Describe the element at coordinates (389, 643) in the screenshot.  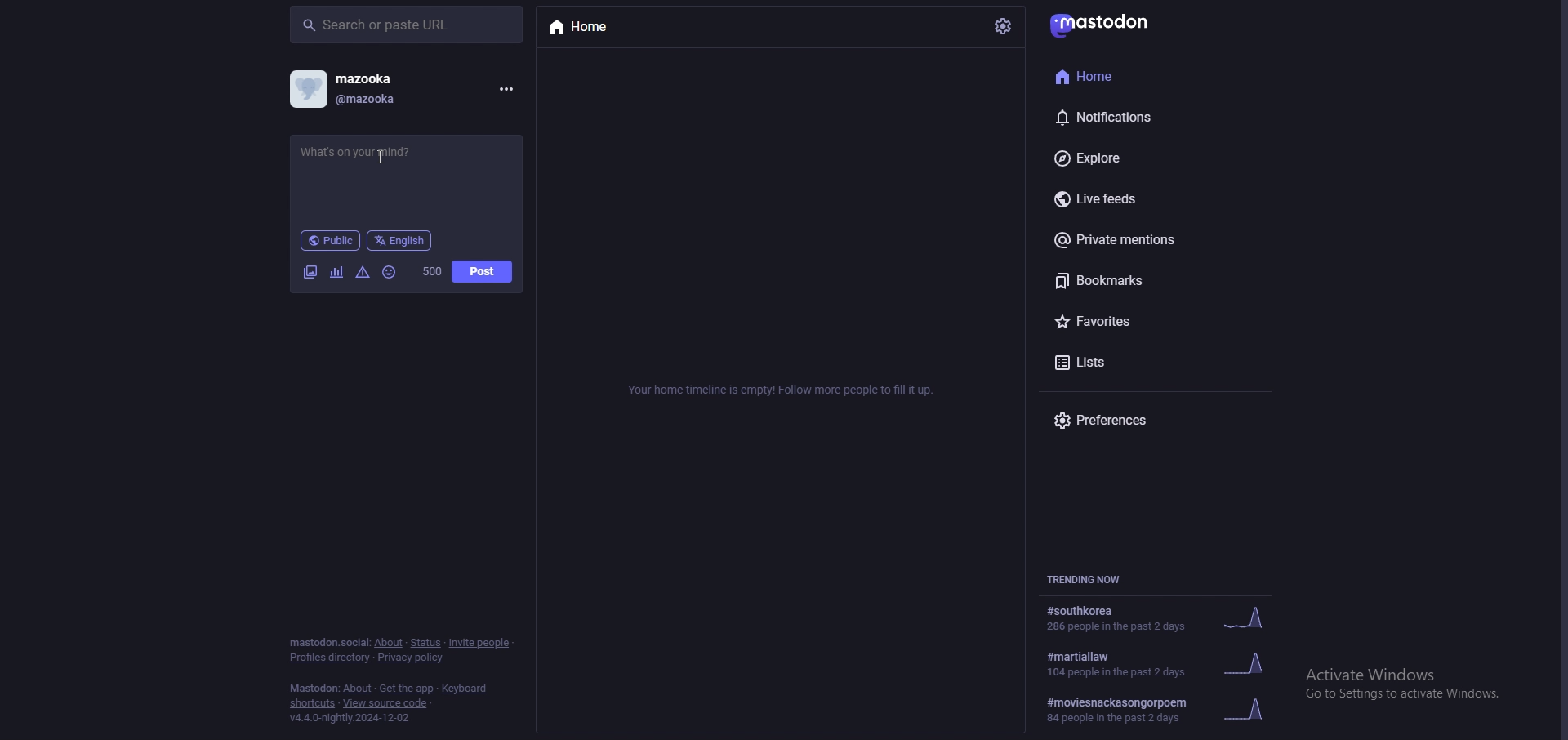
I see `about` at that location.